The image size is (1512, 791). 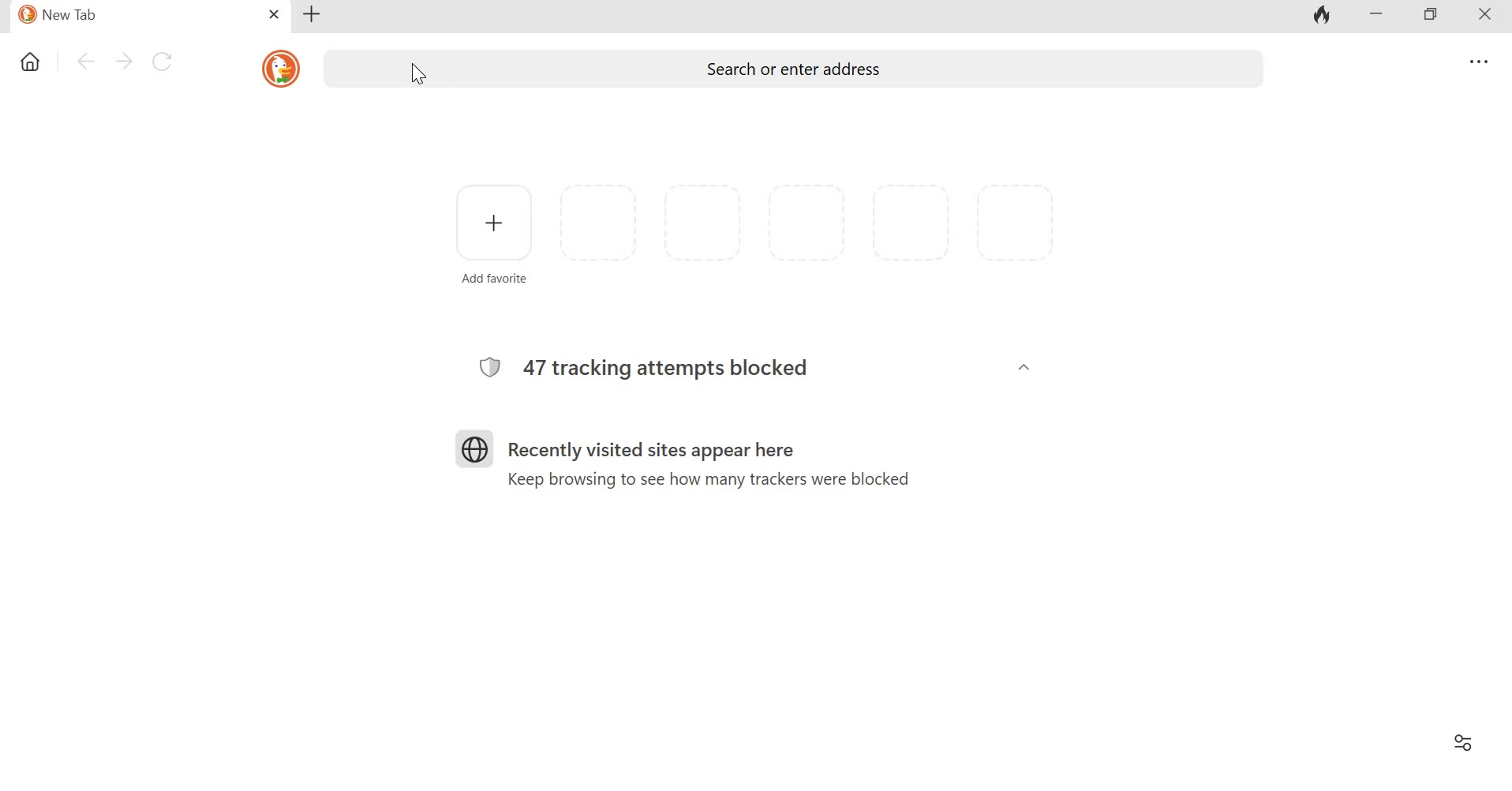 I want to click on cursor, so click(x=419, y=73).